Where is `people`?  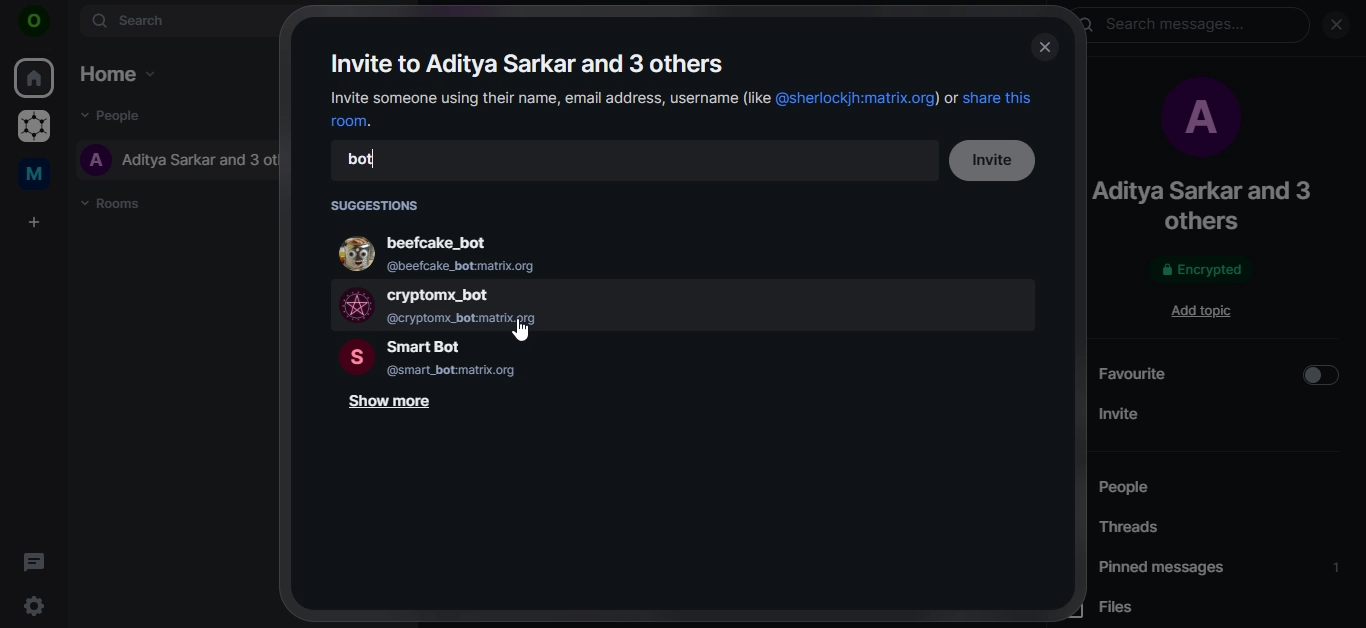 people is located at coordinates (113, 117).